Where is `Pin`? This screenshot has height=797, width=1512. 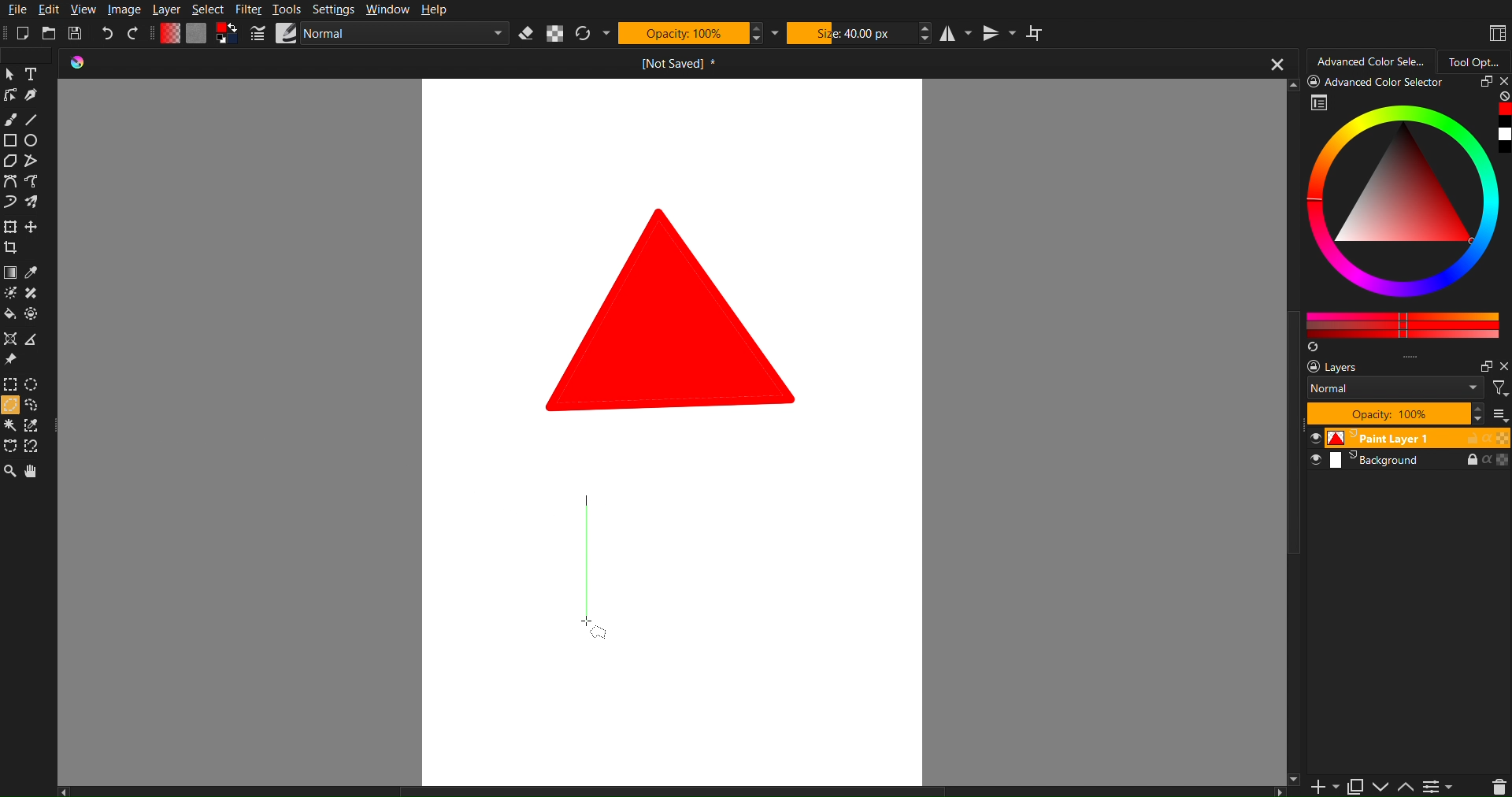
Pin is located at coordinates (9, 361).